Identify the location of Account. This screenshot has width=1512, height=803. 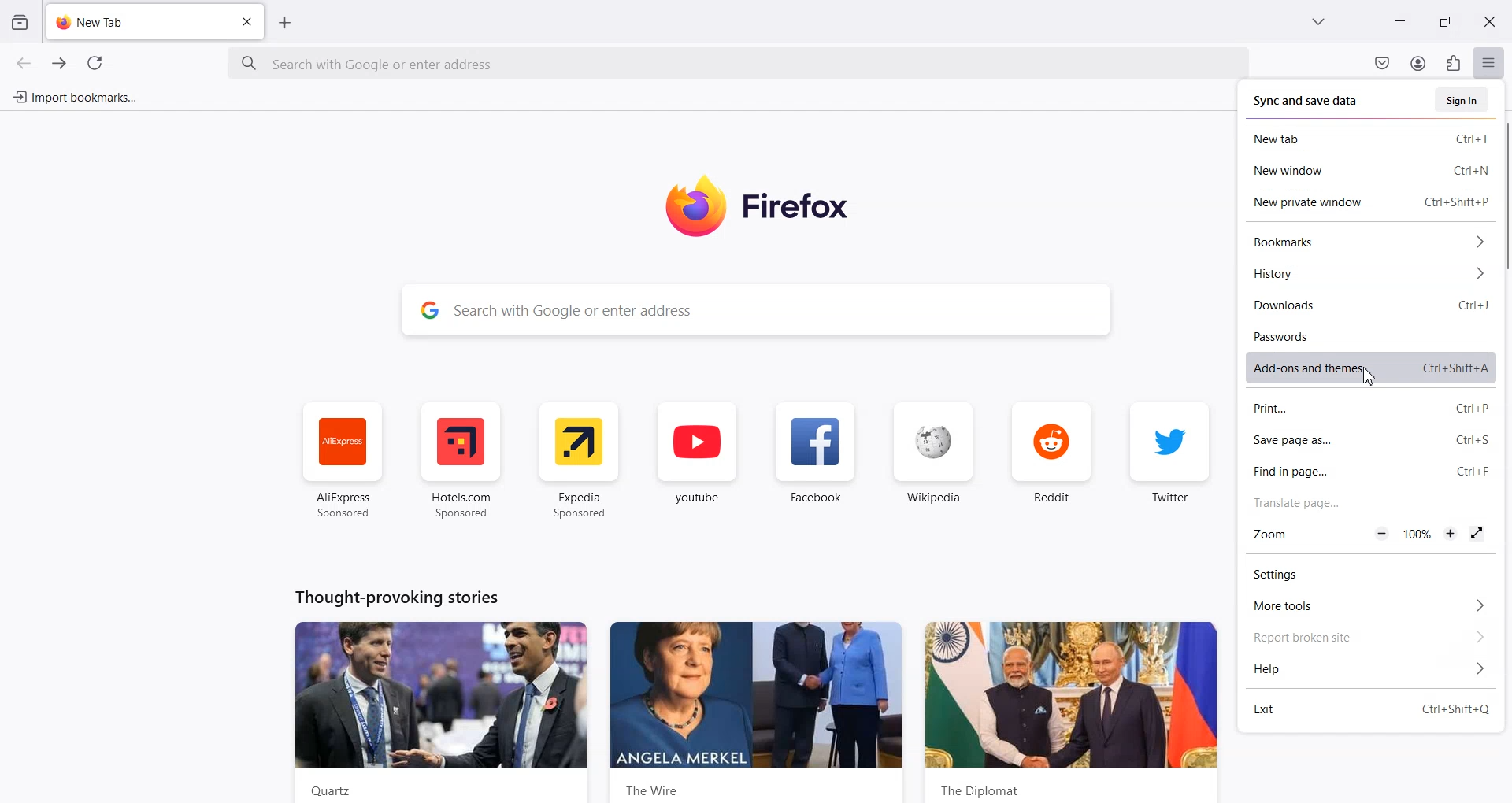
(1419, 63).